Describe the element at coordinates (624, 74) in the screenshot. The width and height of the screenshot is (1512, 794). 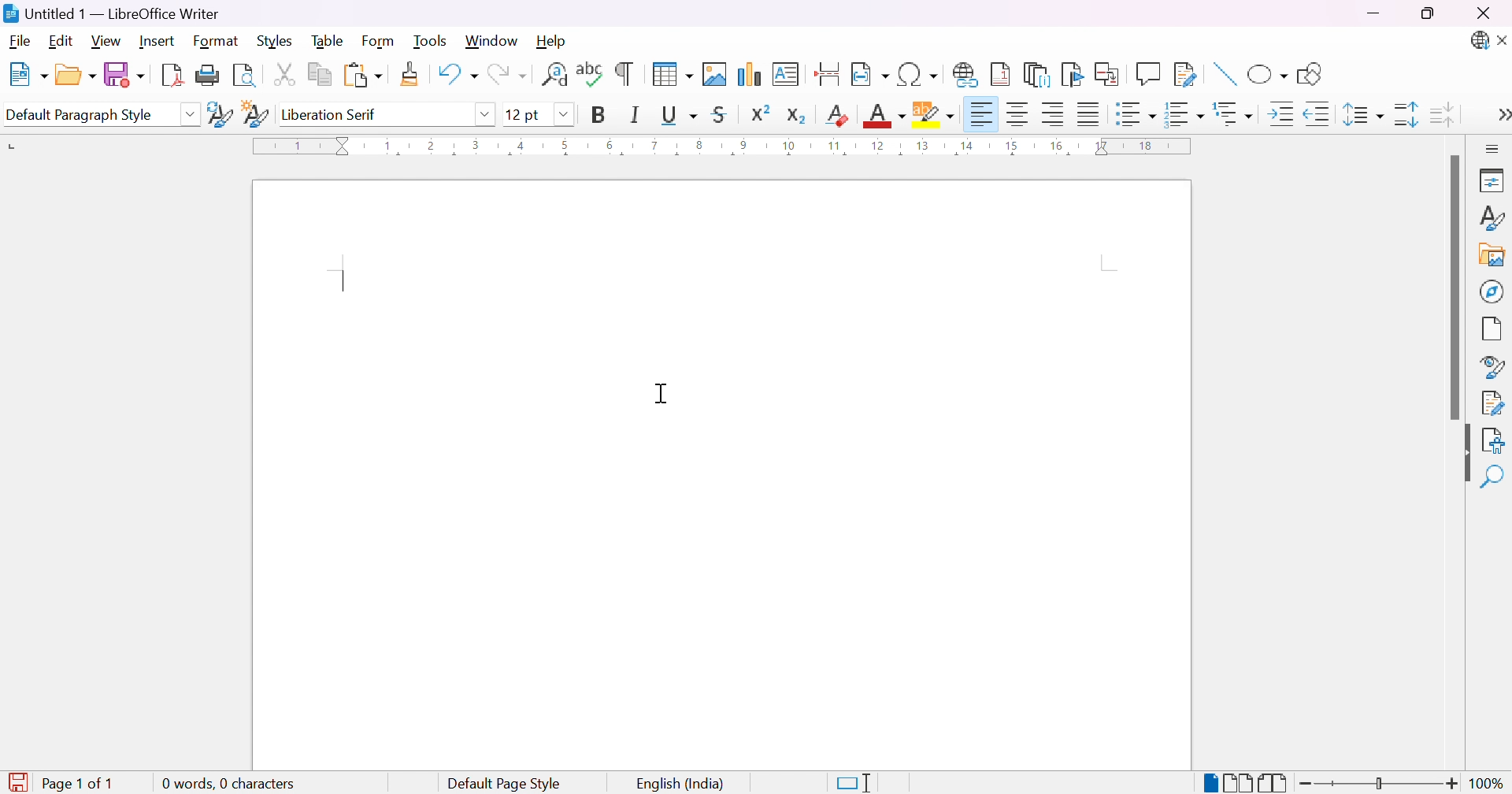
I see `` at that location.